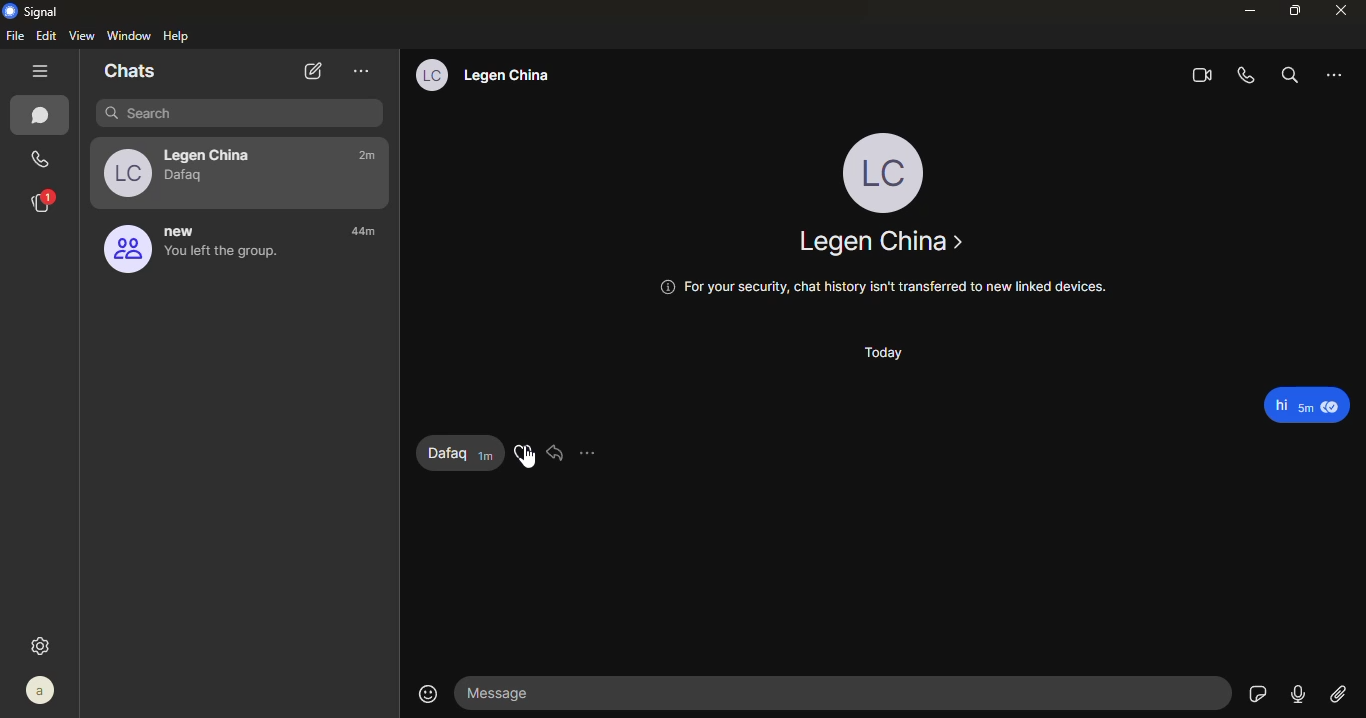 The image size is (1366, 718). I want to click on new chat, so click(310, 71).